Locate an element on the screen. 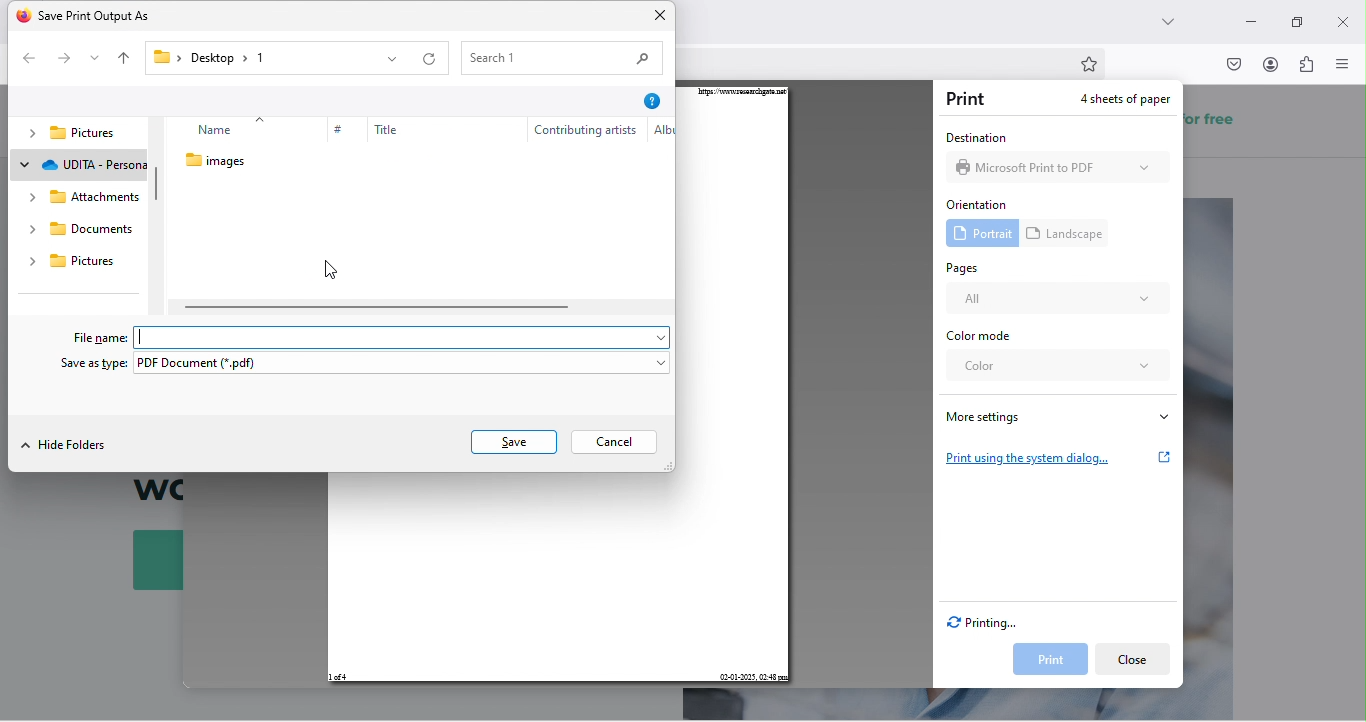  account is located at coordinates (1271, 64).